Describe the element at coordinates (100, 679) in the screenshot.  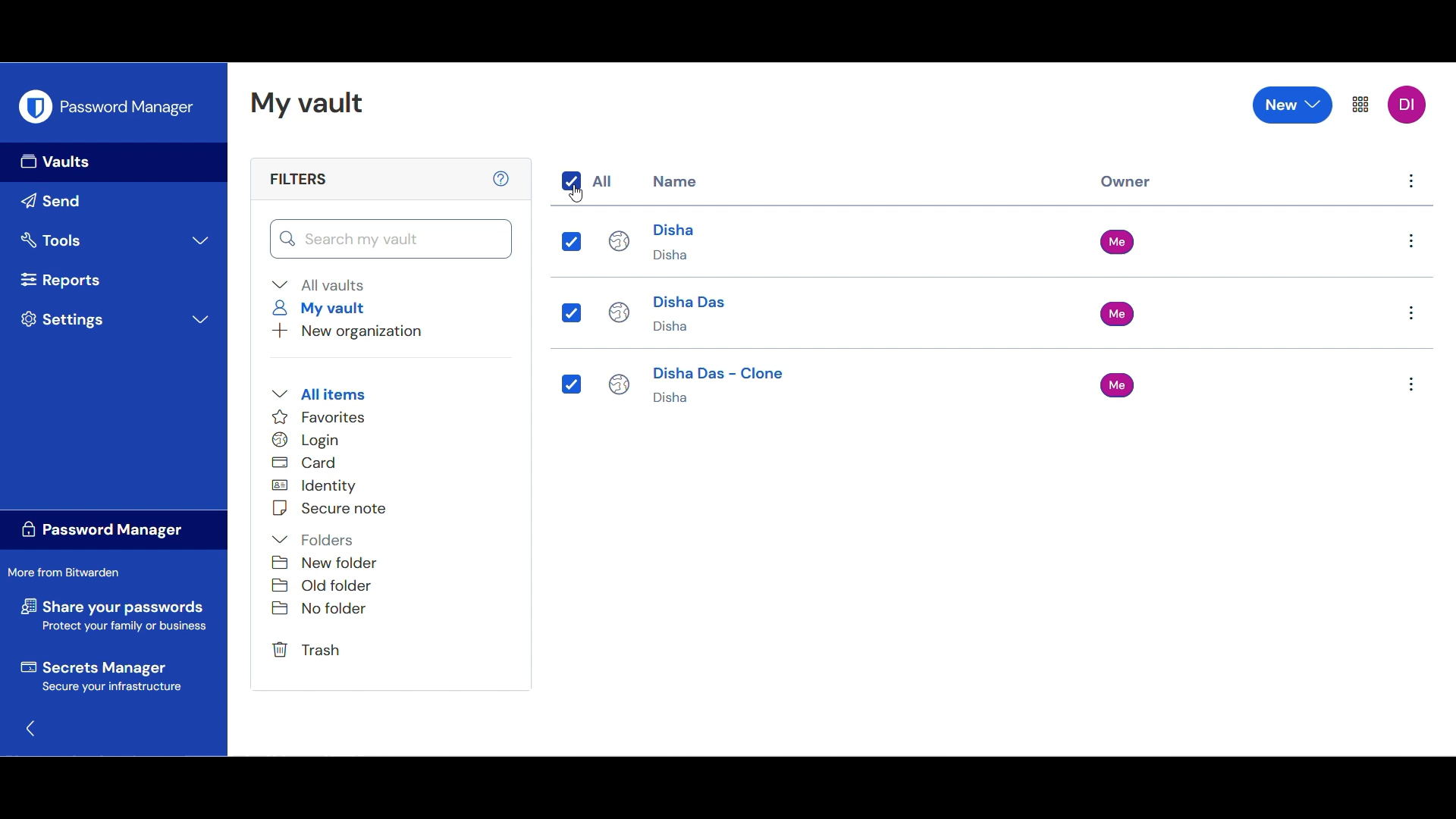
I see `Secrets Manager      Secure your infrastucture` at that location.